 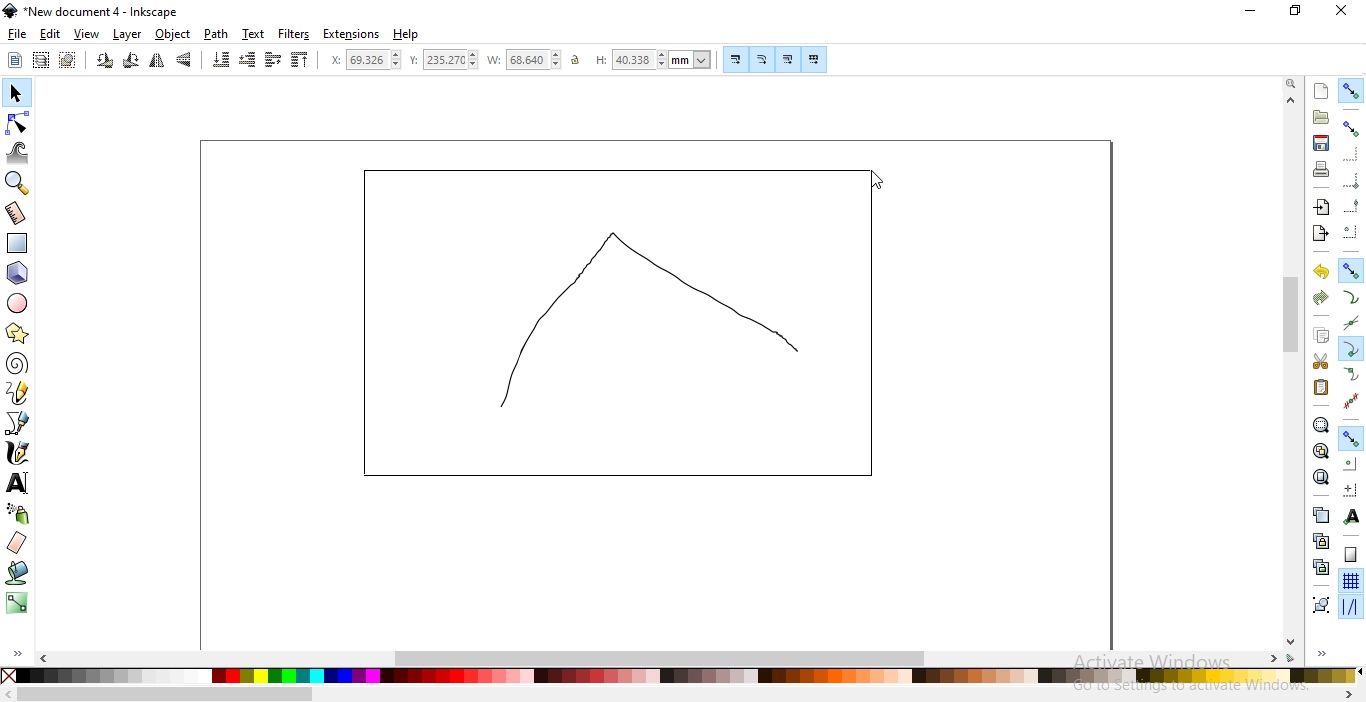 I want to click on draw bezier lines and straight lines, so click(x=18, y=423).